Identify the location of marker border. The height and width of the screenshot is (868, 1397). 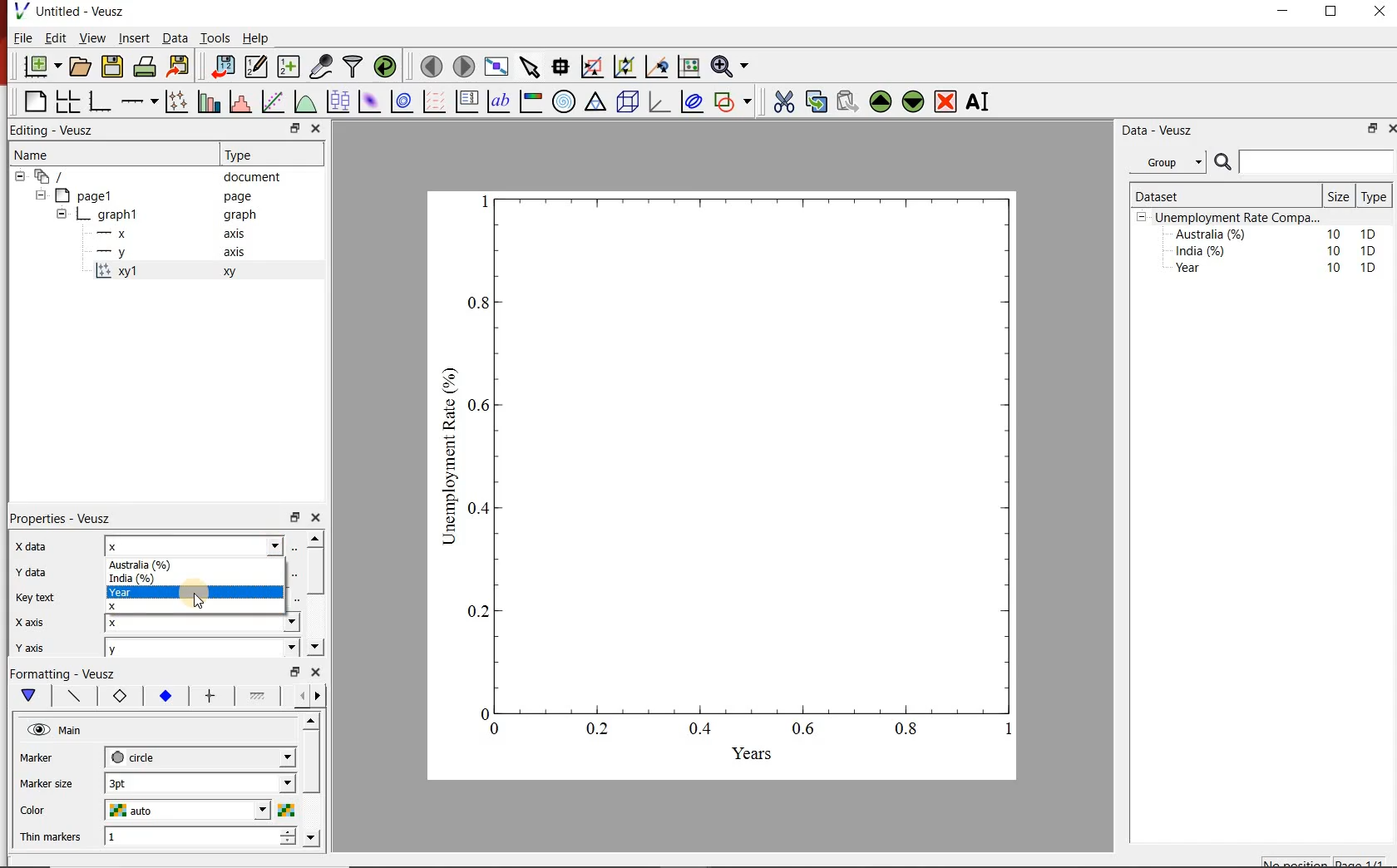
(119, 697).